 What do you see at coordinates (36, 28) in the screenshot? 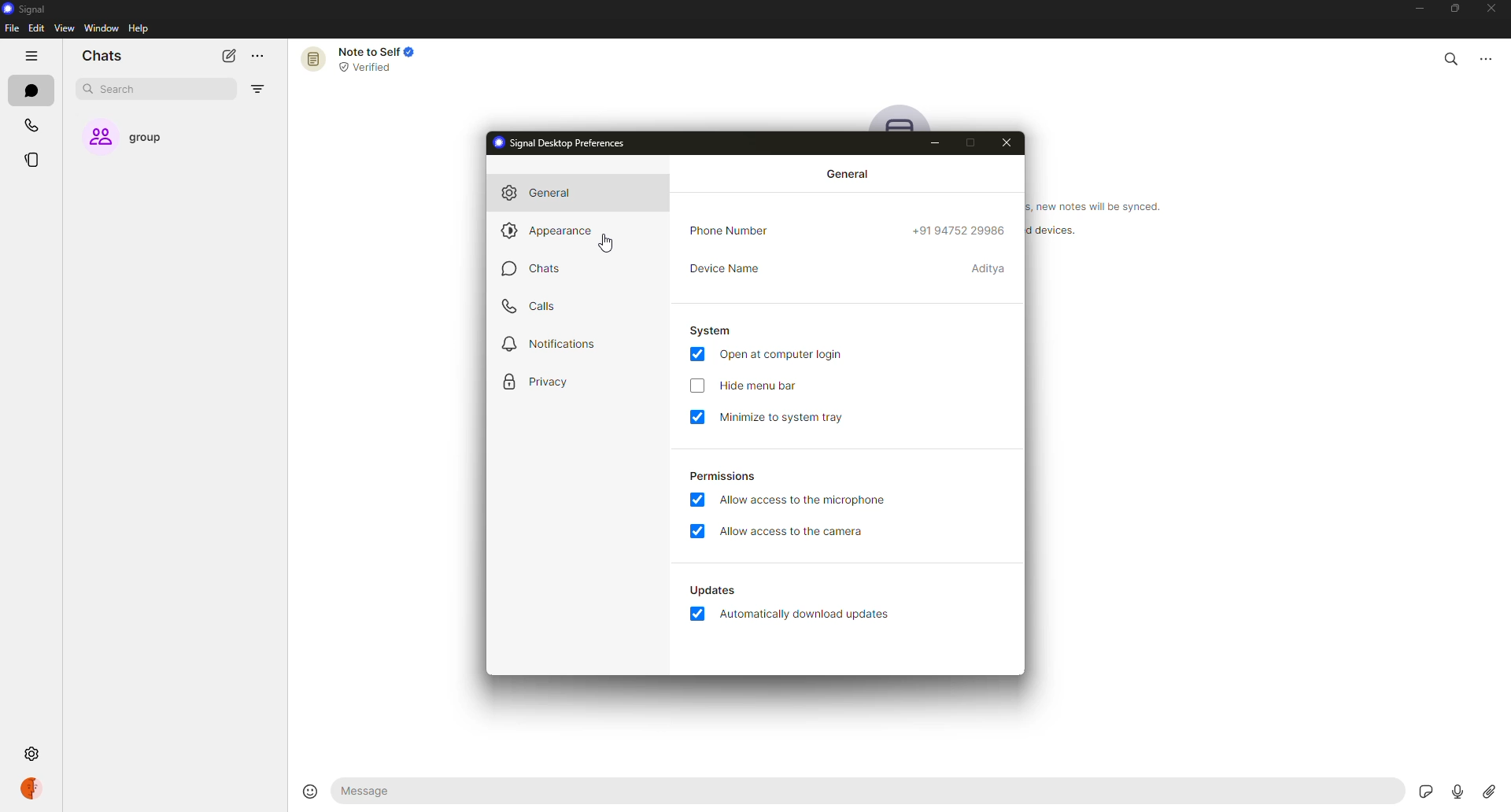
I see `edit` at bounding box center [36, 28].